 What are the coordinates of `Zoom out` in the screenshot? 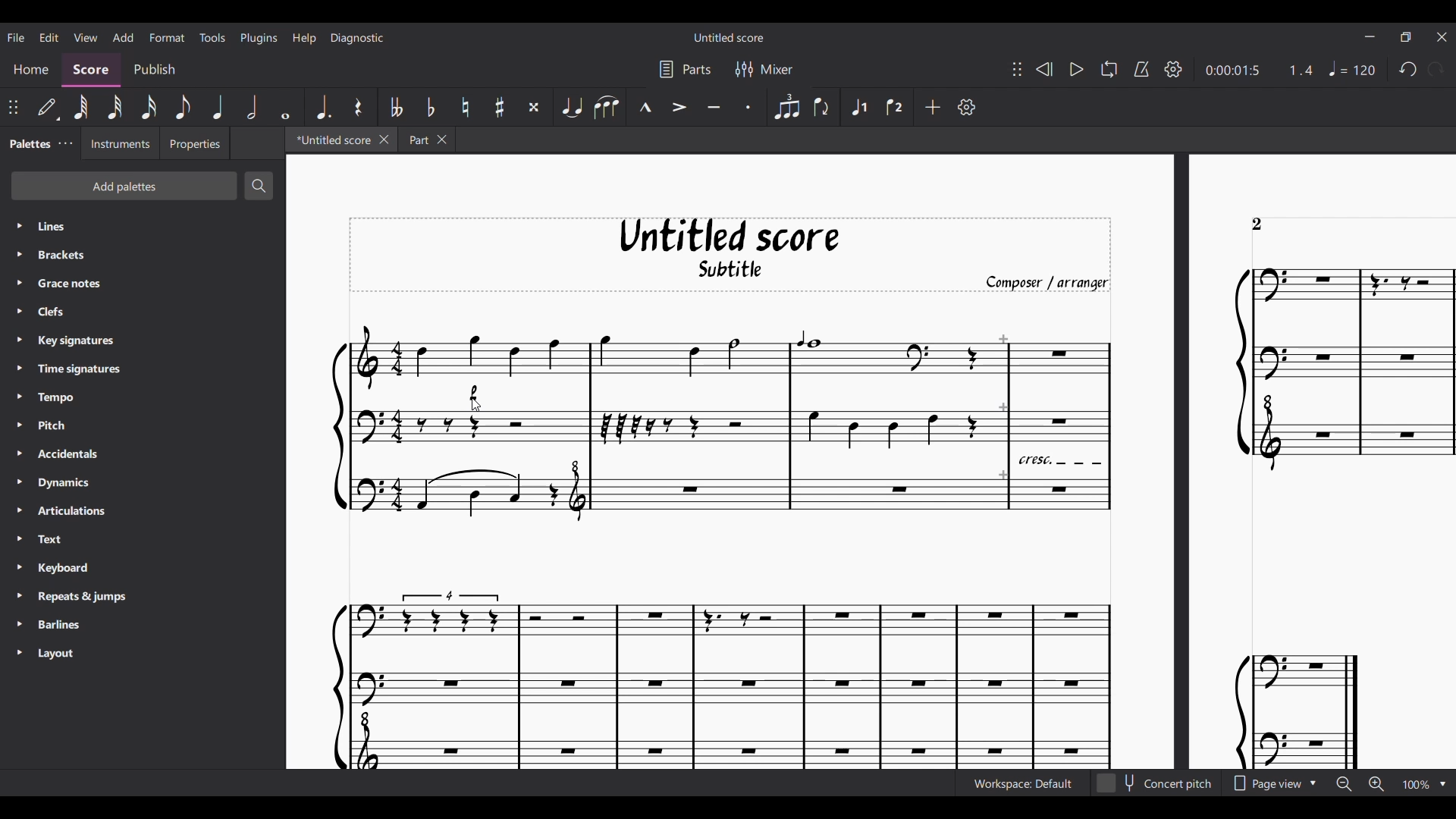 It's located at (1345, 785).